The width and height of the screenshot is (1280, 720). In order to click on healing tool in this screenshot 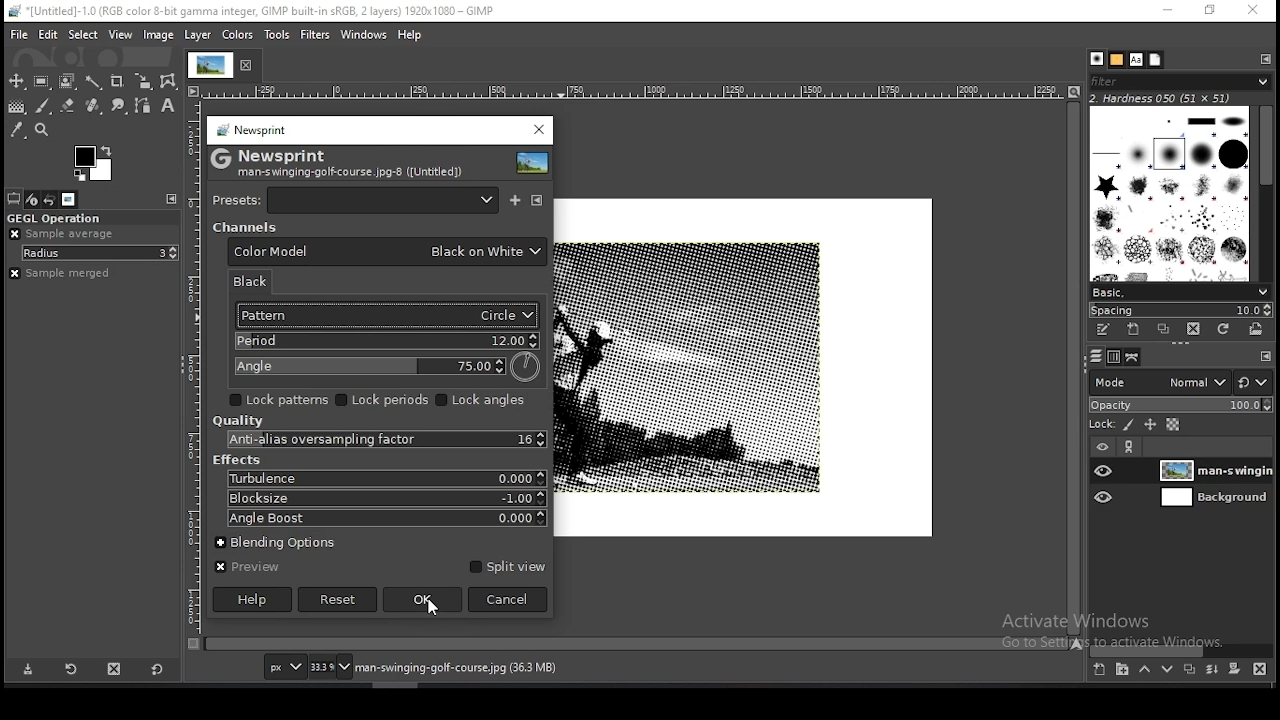, I will do `click(93, 106)`.